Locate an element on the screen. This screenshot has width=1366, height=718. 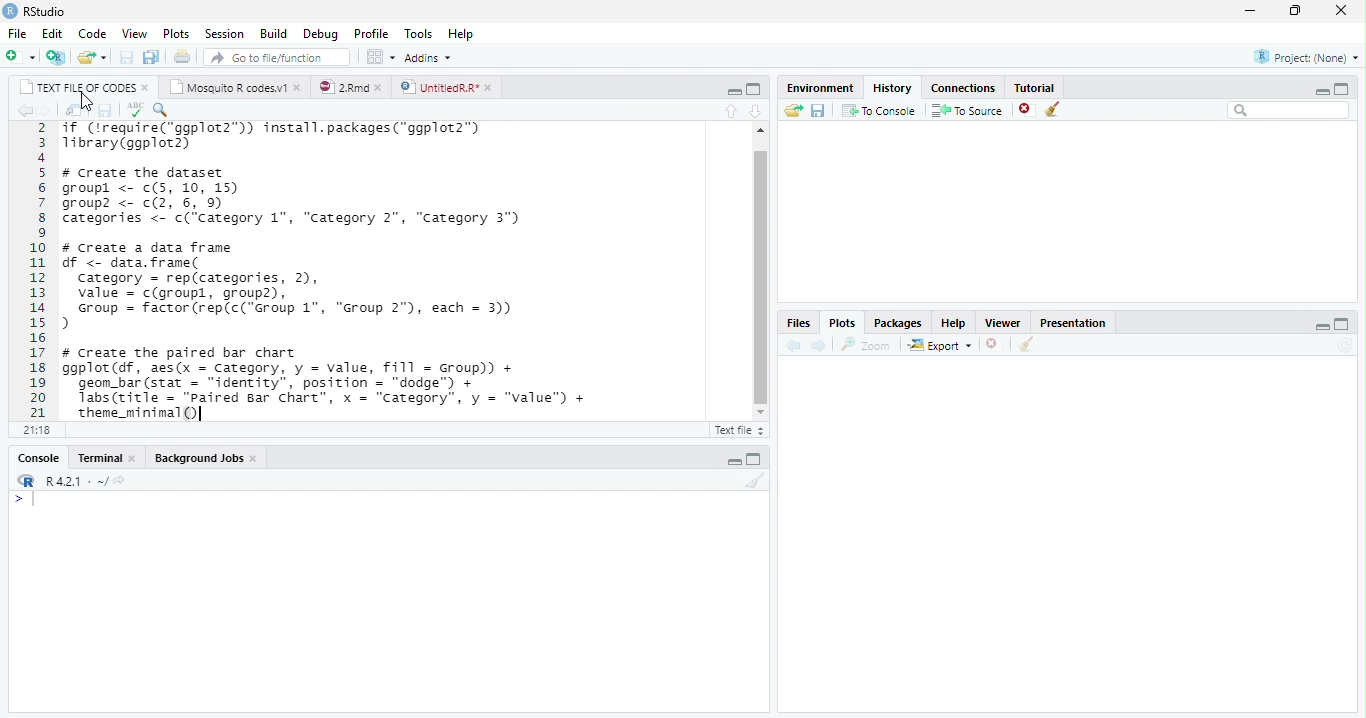
project (none) is located at coordinates (1306, 55).